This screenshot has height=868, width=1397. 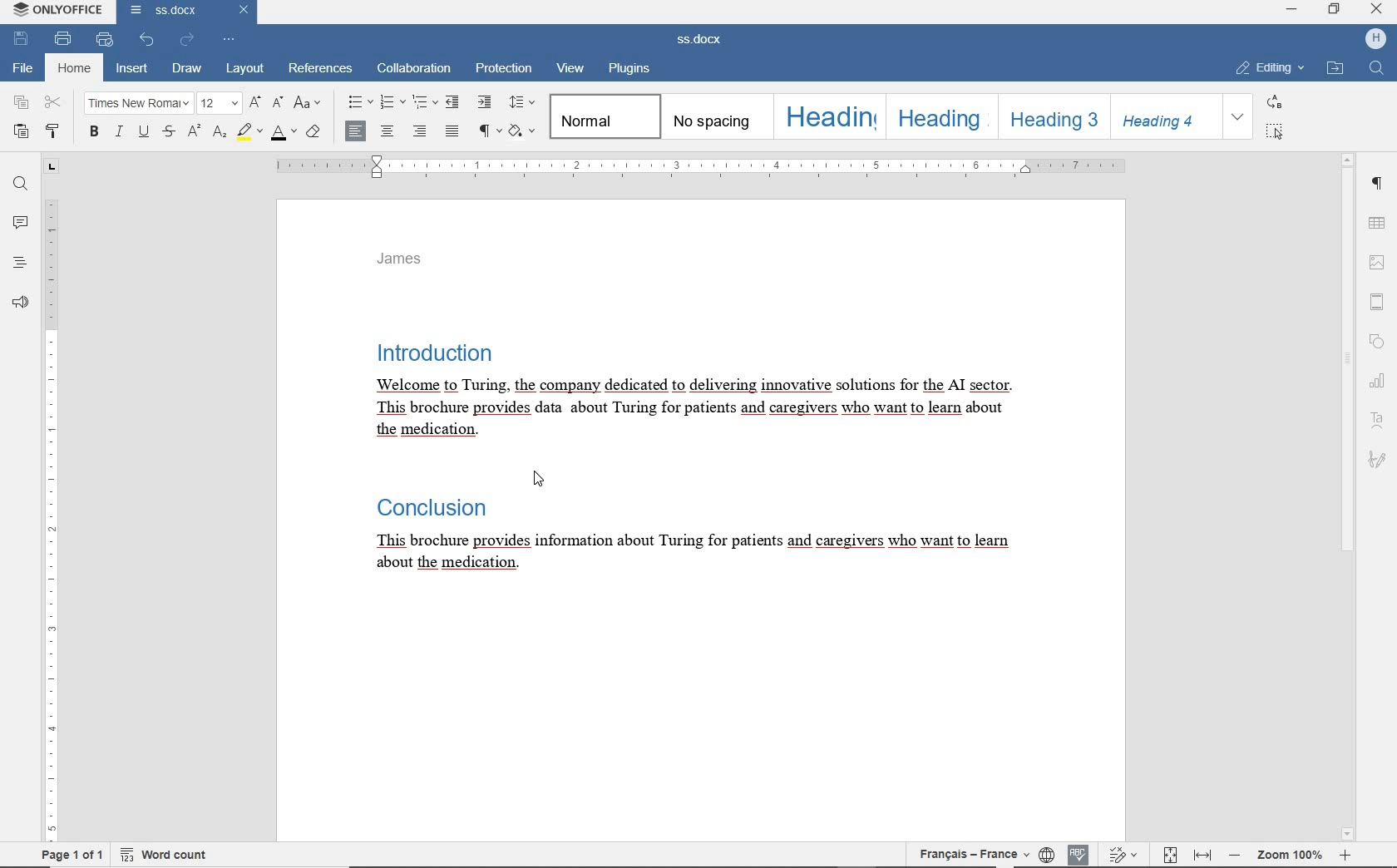 I want to click on NO SPACING, so click(x=713, y=116).